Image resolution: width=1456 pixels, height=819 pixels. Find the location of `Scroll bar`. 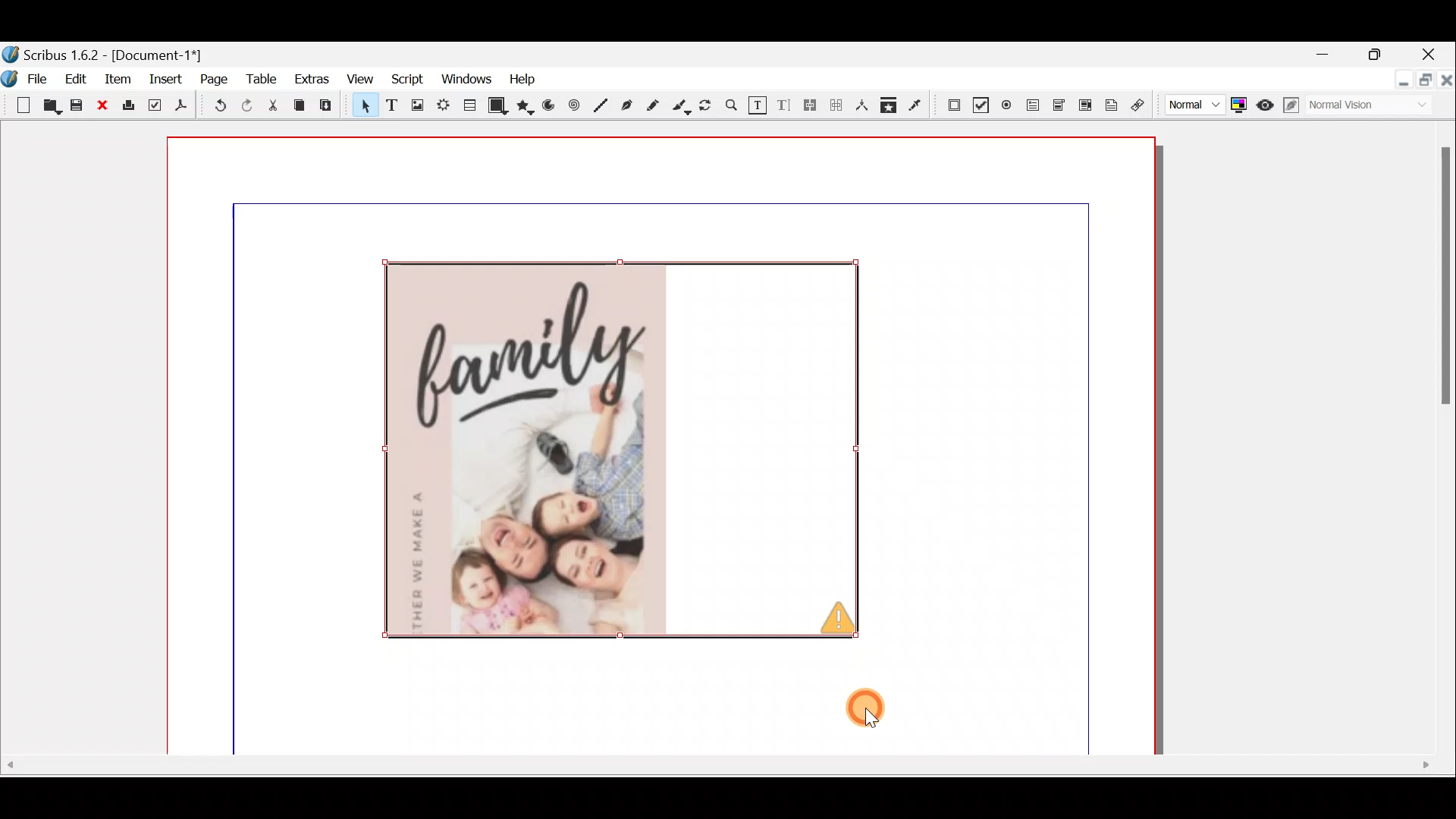

Scroll bar is located at coordinates (723, 770).